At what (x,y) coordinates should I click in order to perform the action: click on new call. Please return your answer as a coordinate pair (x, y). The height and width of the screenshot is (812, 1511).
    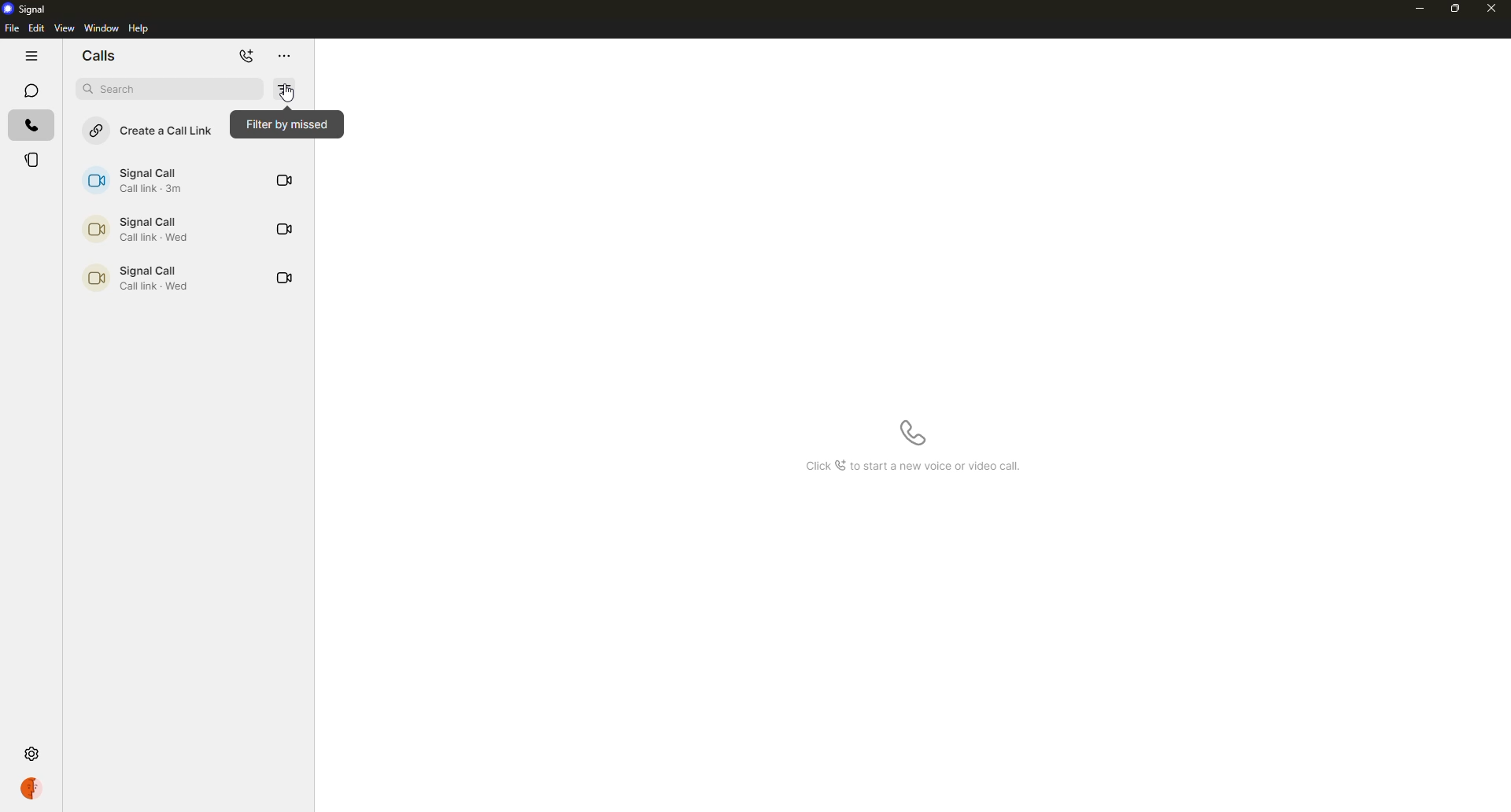
    Looking at the image, I should click on (249, 57).